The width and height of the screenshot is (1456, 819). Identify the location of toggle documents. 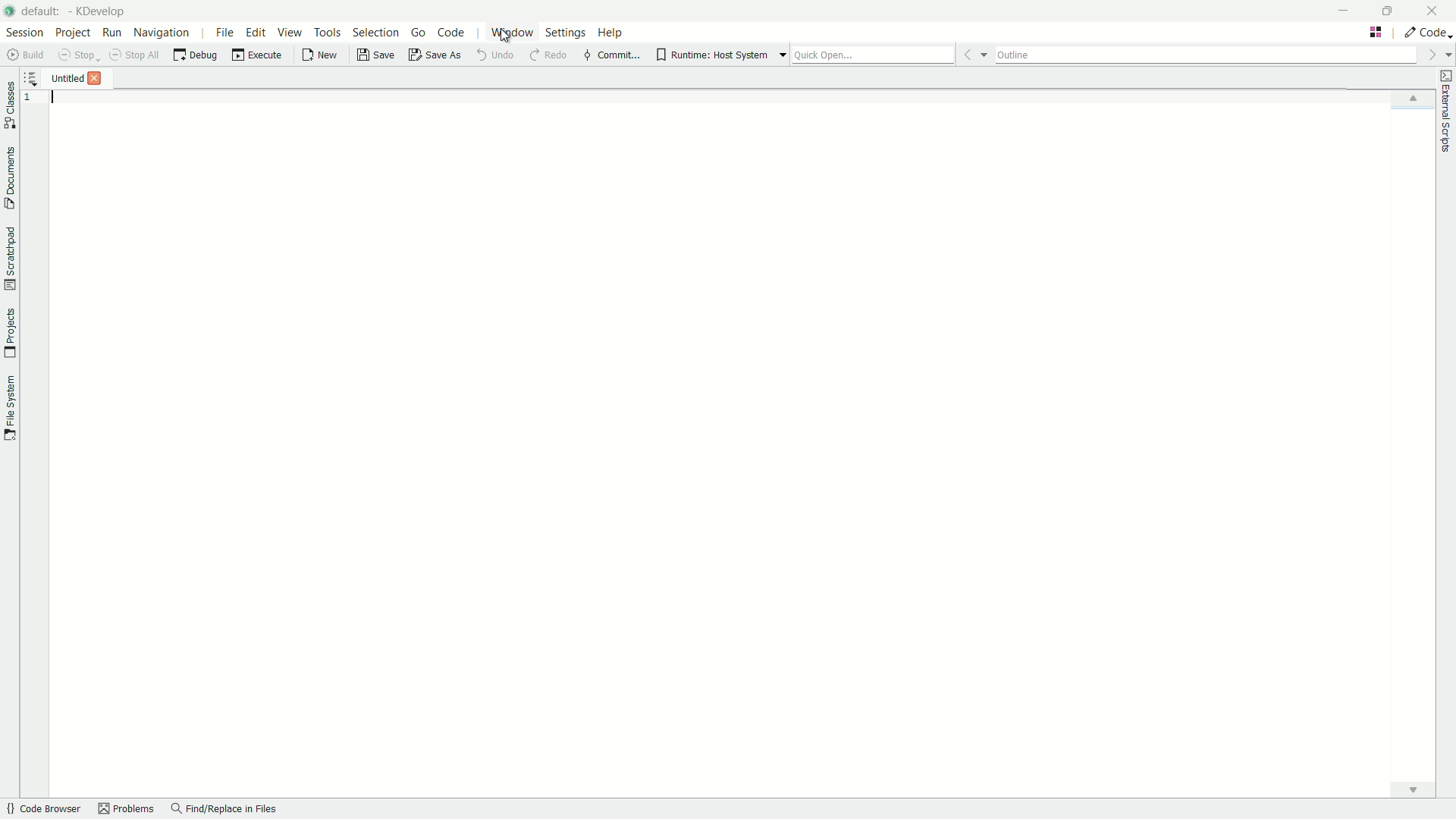
(14, 175).